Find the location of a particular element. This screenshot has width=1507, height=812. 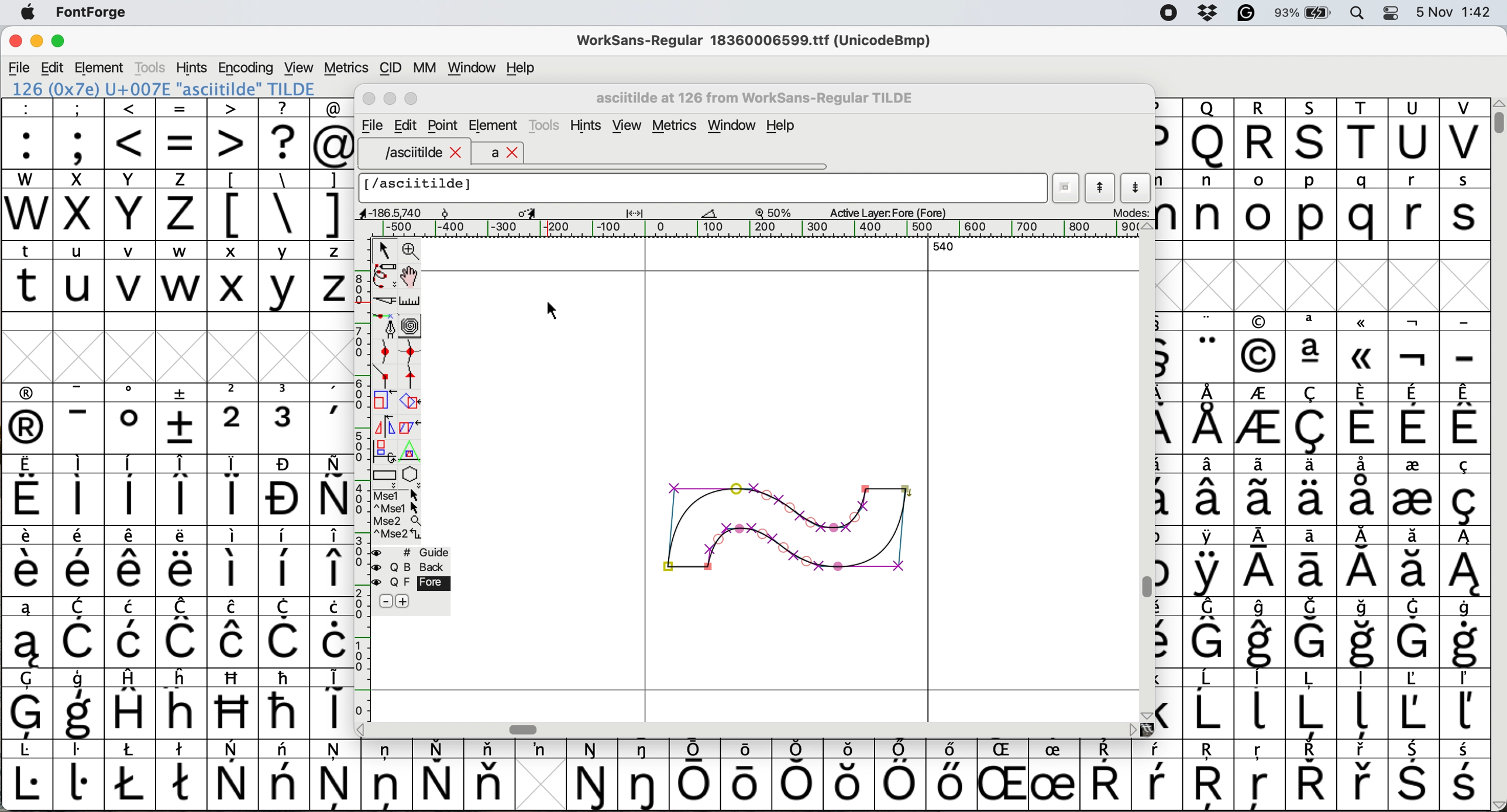

2 is located at coordinates (233, 418).